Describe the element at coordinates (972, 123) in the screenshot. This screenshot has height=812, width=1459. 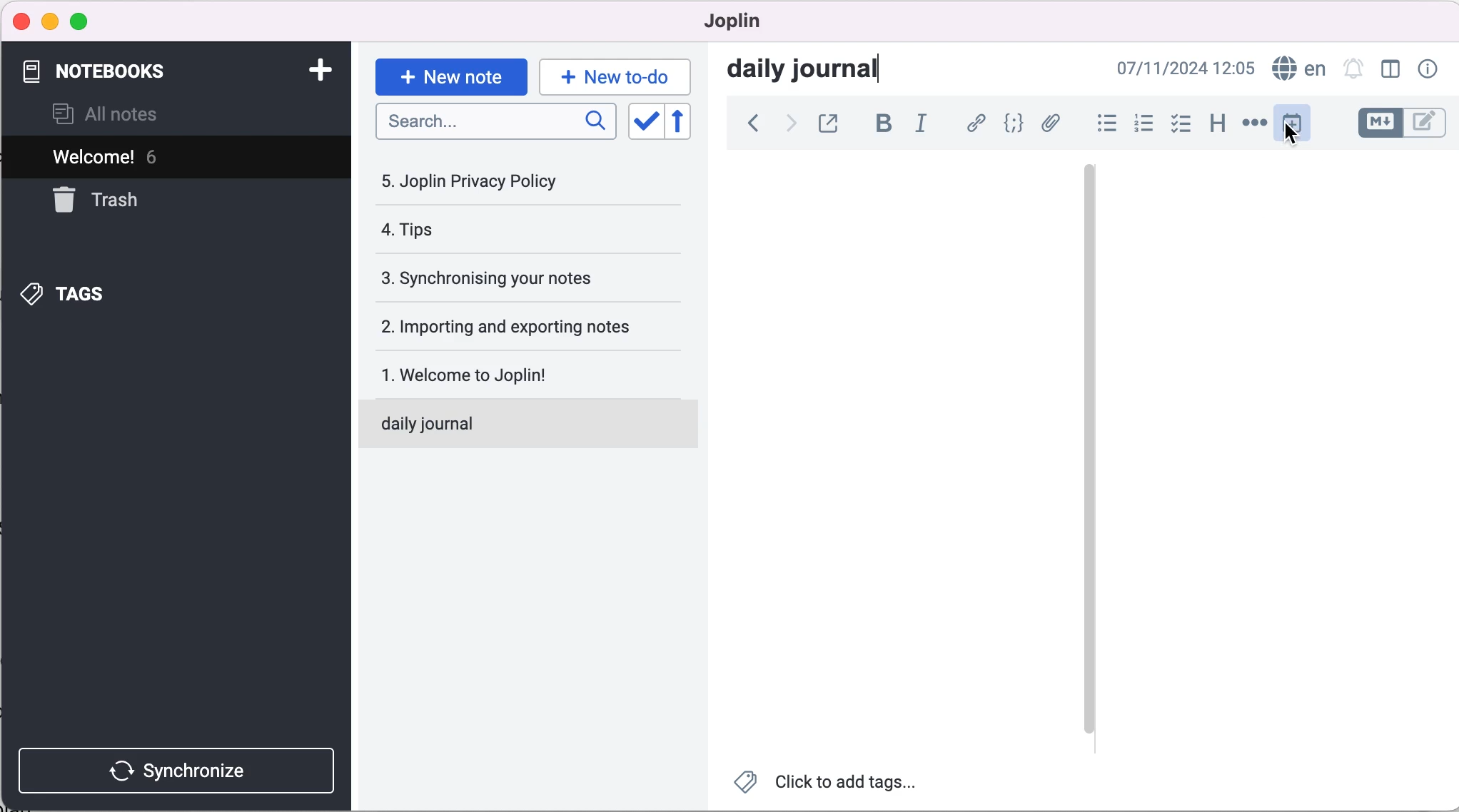
I see `hyperlink` at that location.